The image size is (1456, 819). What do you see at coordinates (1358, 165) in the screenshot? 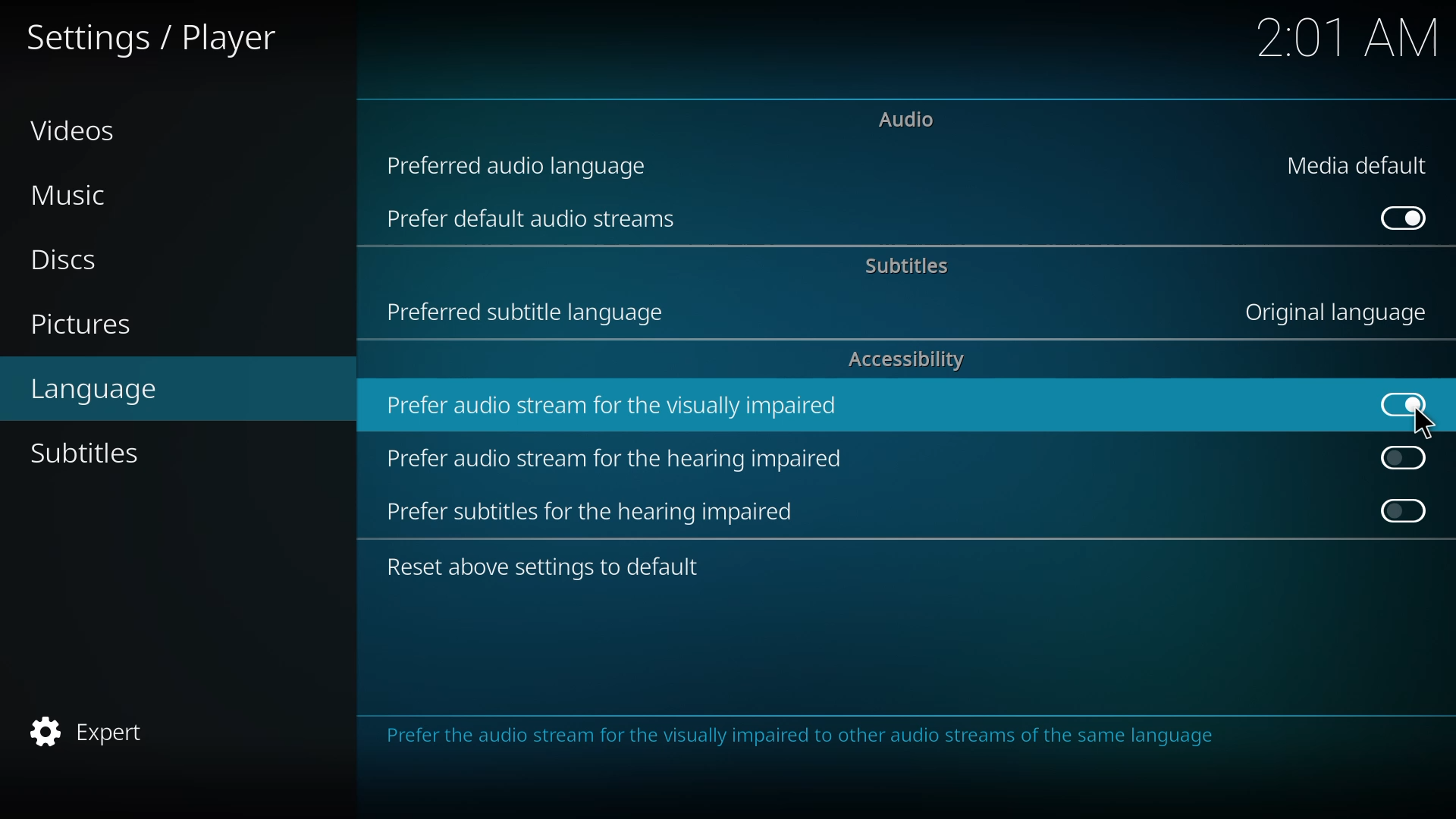
I see `media default` at bounding box center [1358, 165].